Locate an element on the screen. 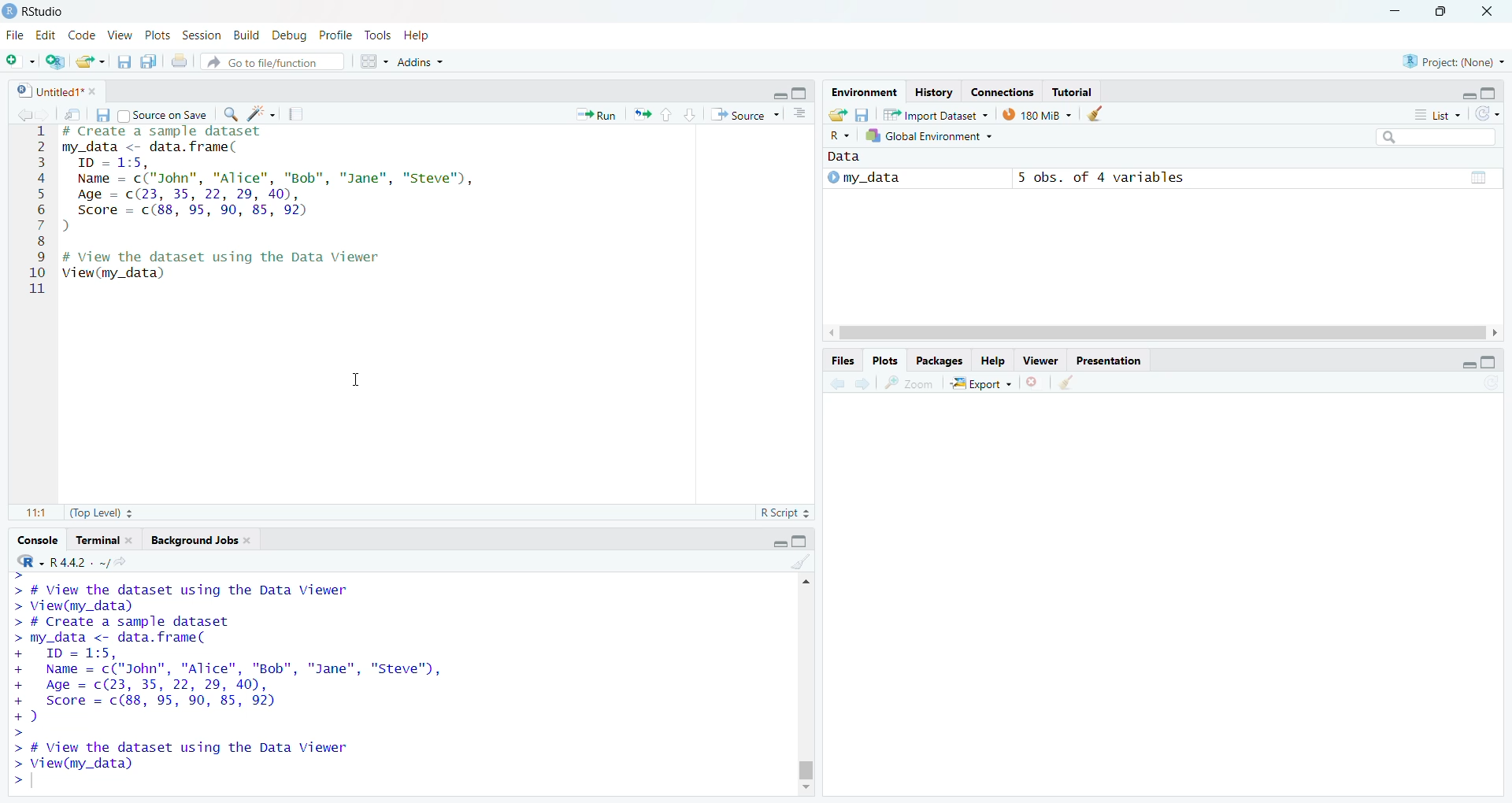 Image resolution: width=1512 pixels, height=803 pixels. Viewer is located at coordinates (1039, 361).